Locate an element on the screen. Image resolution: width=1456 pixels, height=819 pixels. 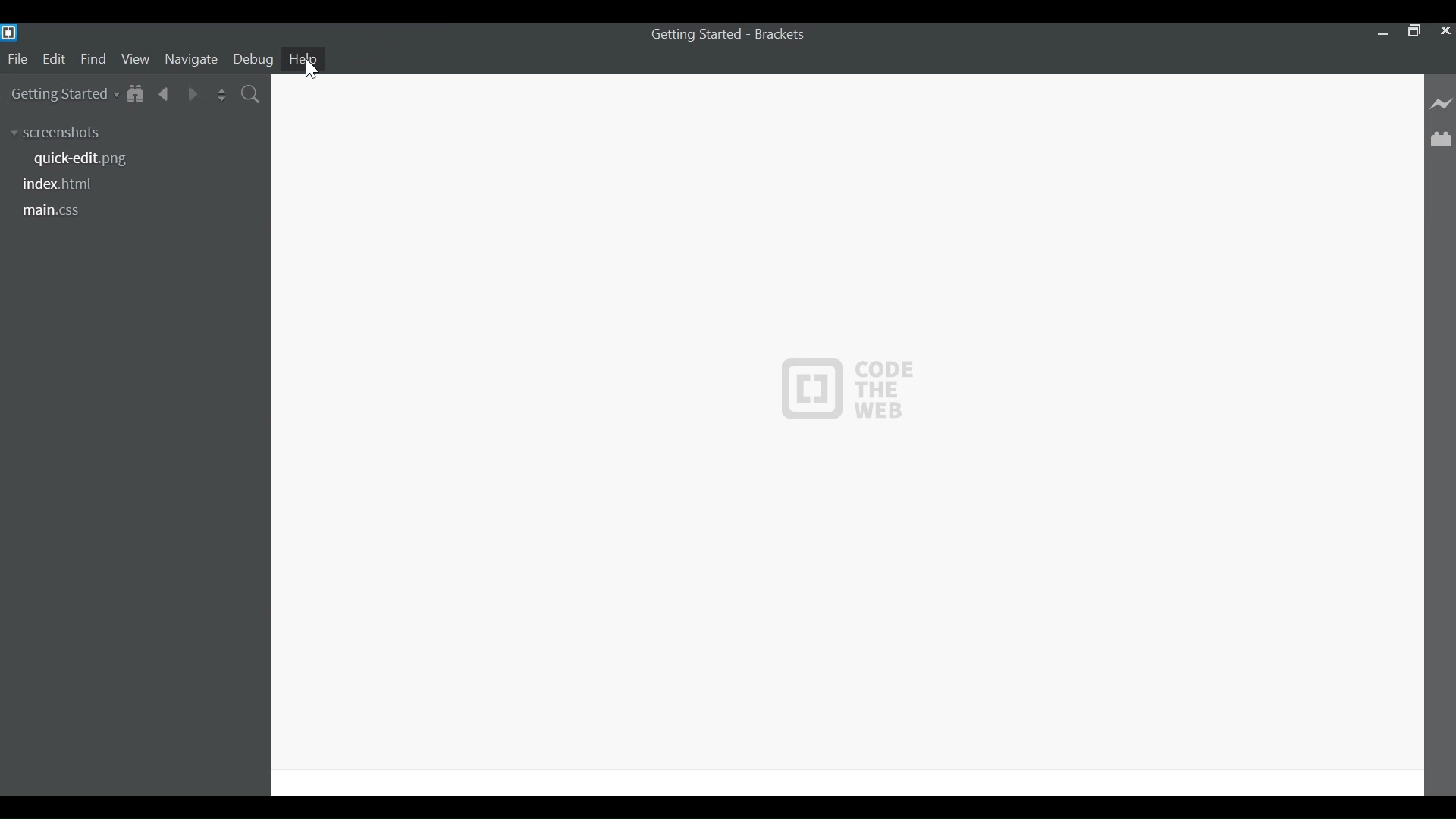
Find in Files is located at coordinates (252, 93).